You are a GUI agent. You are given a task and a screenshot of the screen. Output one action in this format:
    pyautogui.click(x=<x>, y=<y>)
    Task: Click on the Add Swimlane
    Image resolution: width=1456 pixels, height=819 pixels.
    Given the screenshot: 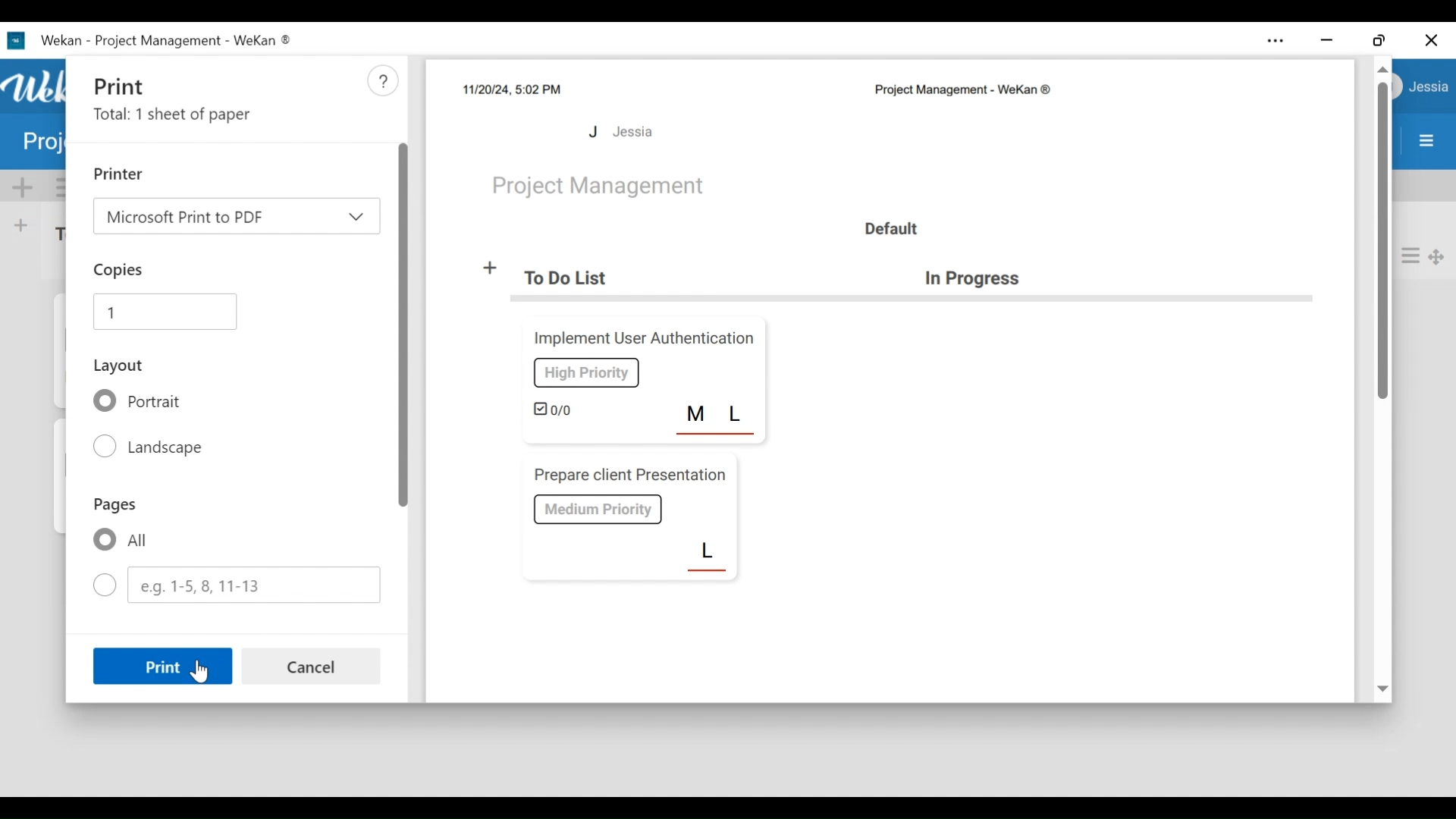 What is the action you would take?
    pyautogui.click(x=24, y=187)
    